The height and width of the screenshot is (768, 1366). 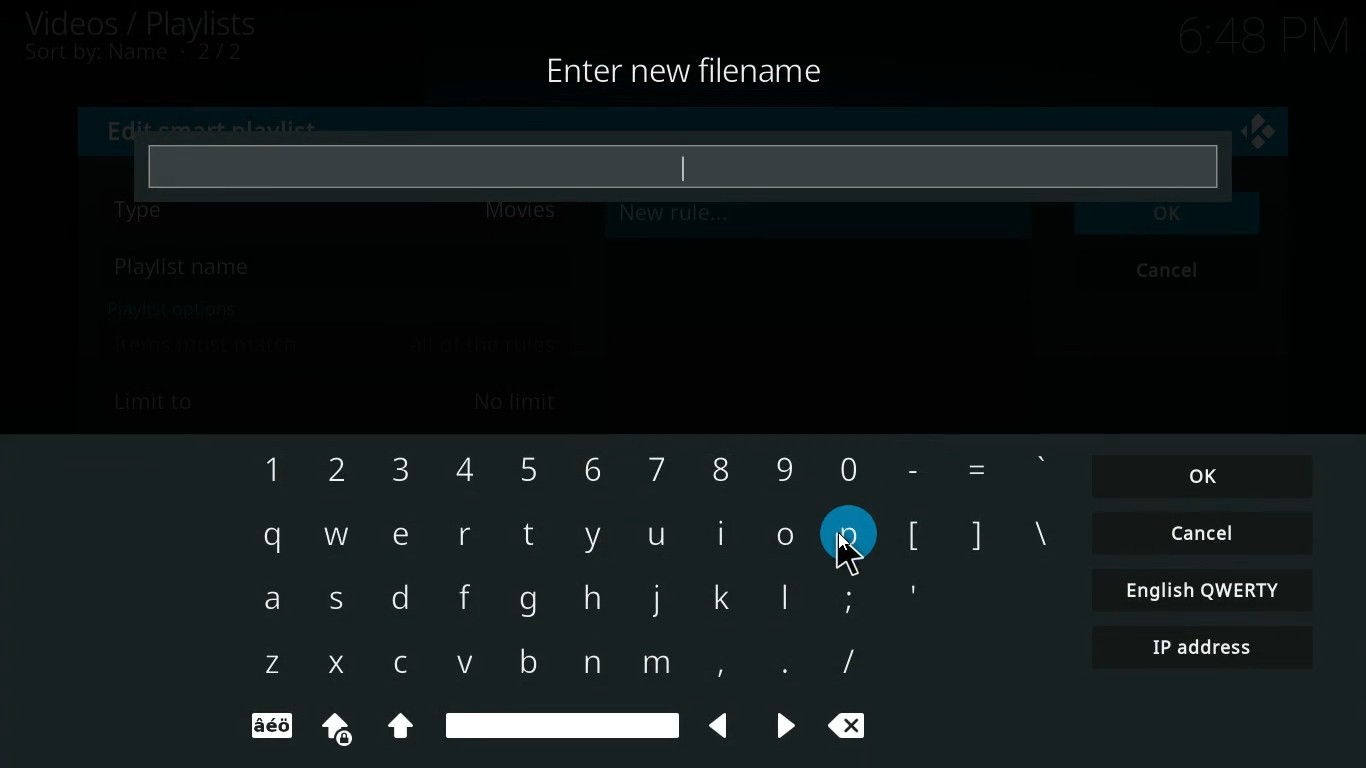 I want to click on options, so click(x=167, y=308).